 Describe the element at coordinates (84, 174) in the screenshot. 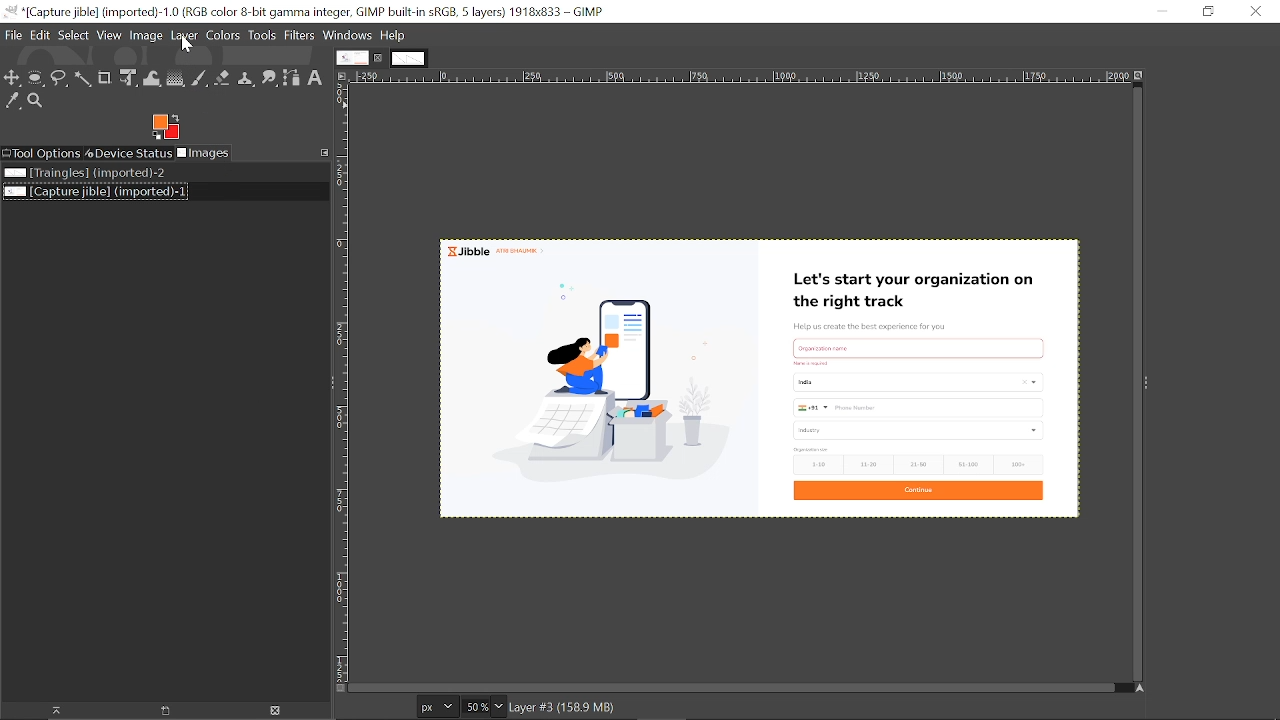

I see `Image file titled "Triangles"` at that location.